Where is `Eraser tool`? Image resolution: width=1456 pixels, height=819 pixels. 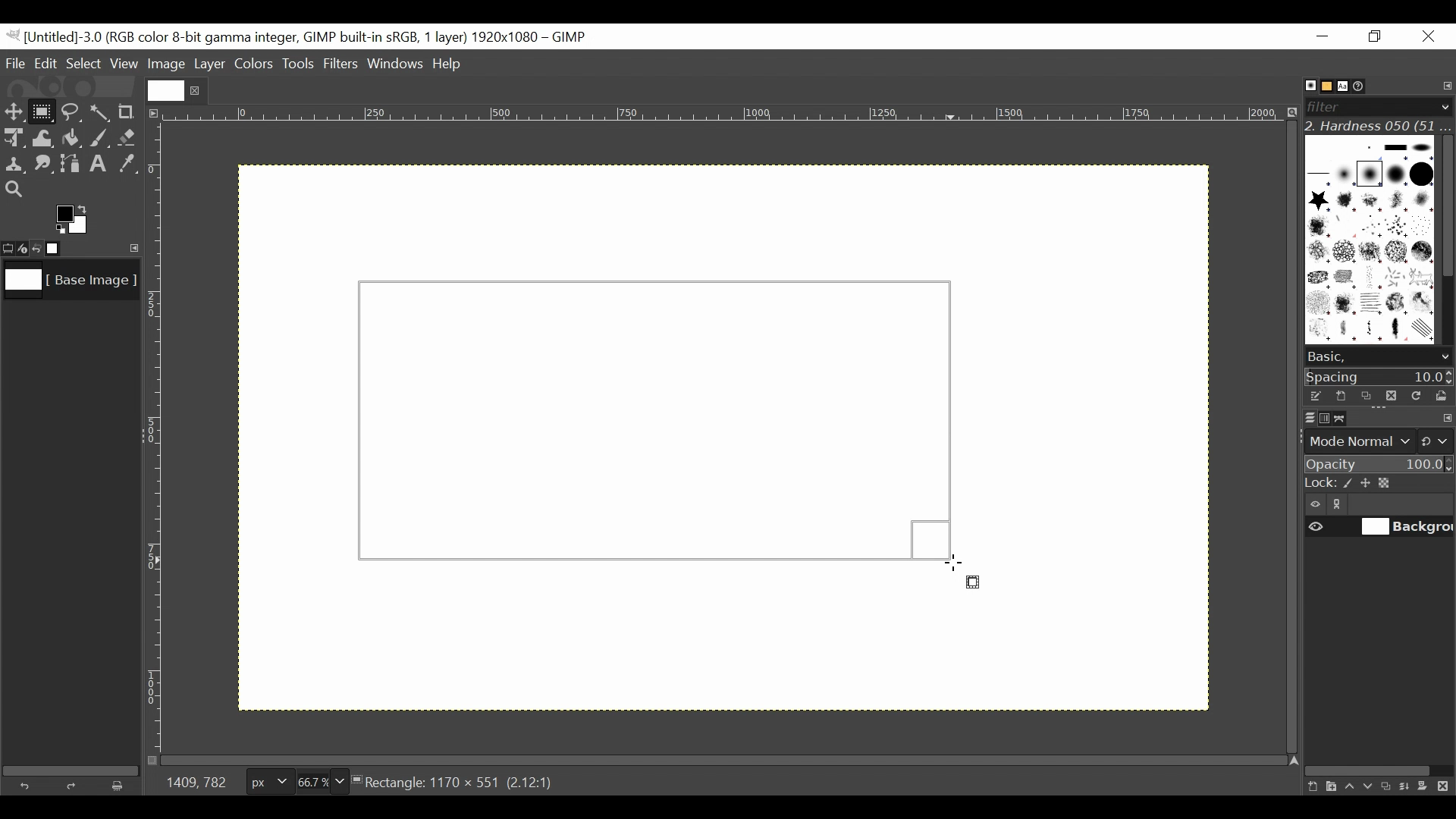
Eraser tool is located at coordinates (129, 139).